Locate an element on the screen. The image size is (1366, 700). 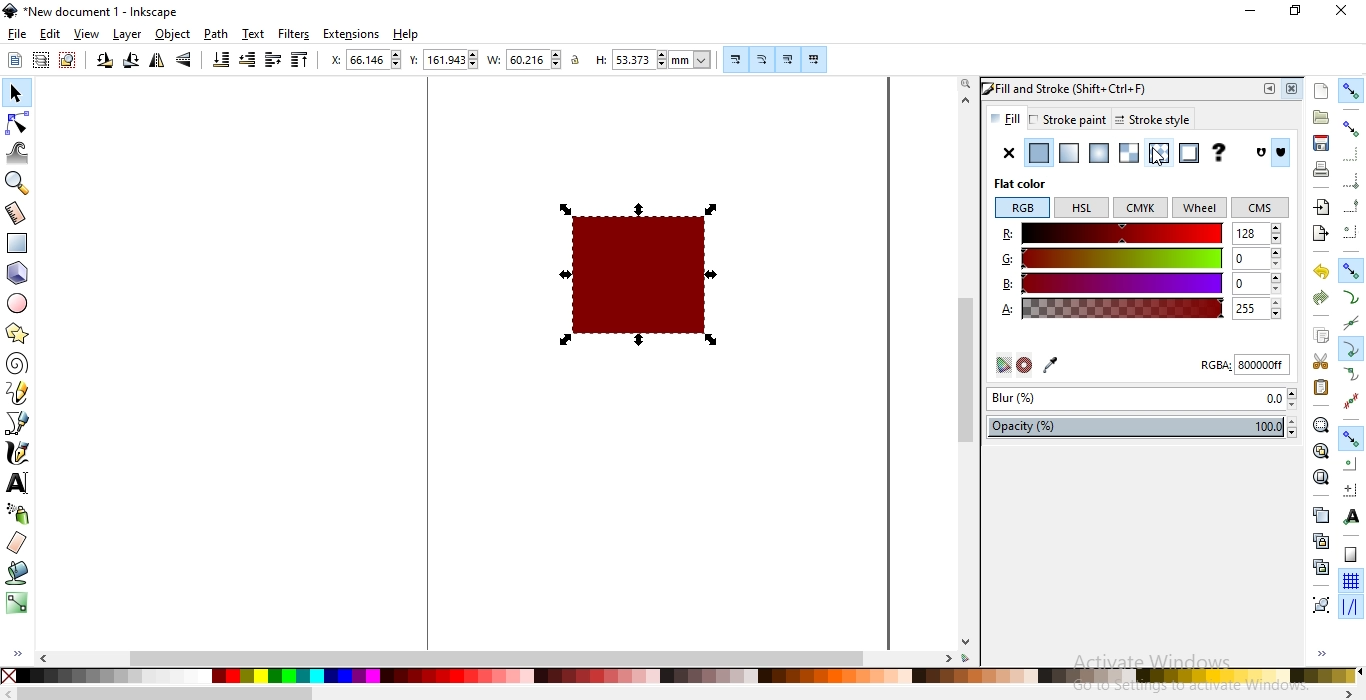
snap to page border is located at coordinates (1350, 555).